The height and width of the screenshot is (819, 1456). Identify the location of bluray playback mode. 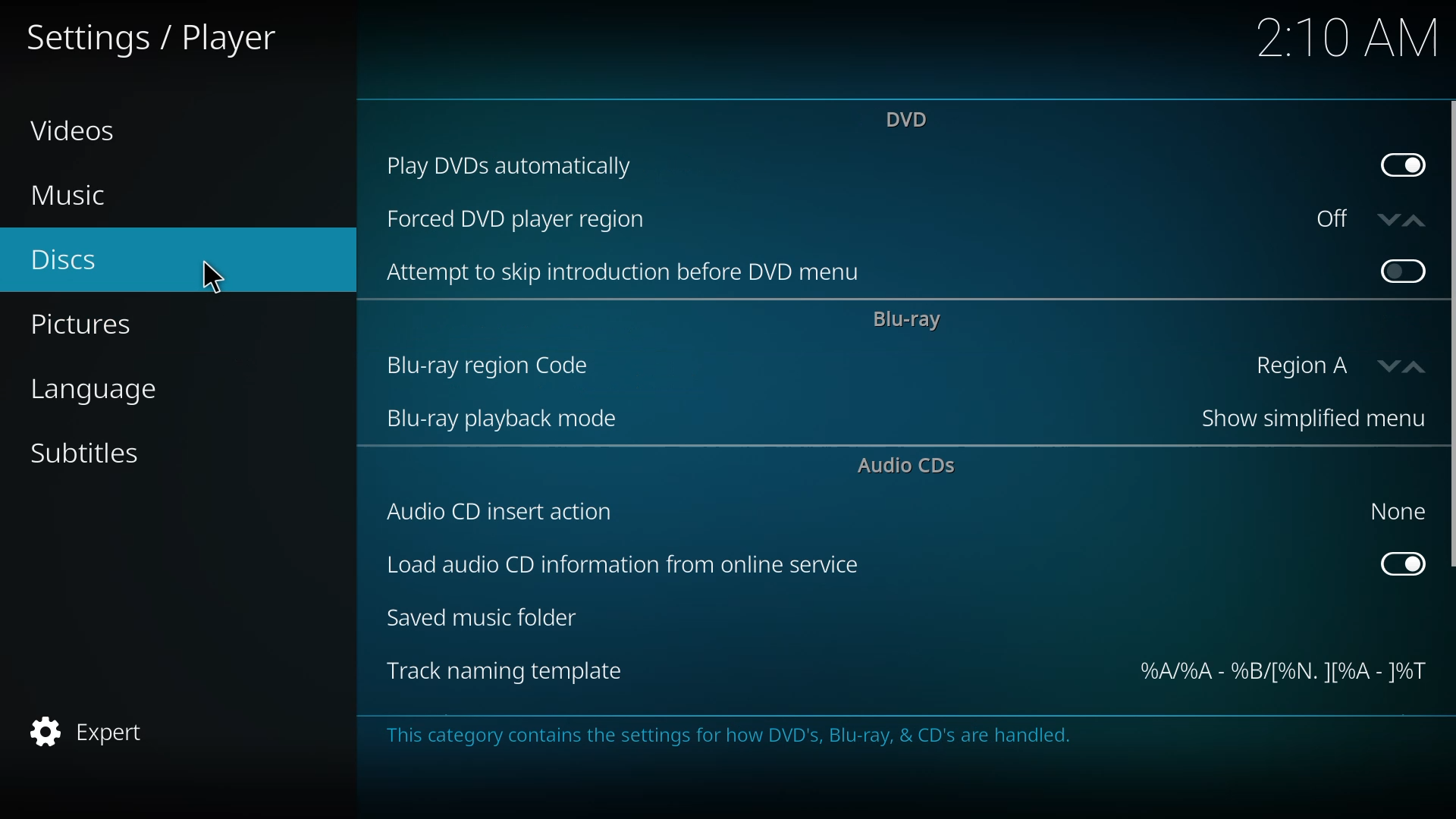
(512, 416).